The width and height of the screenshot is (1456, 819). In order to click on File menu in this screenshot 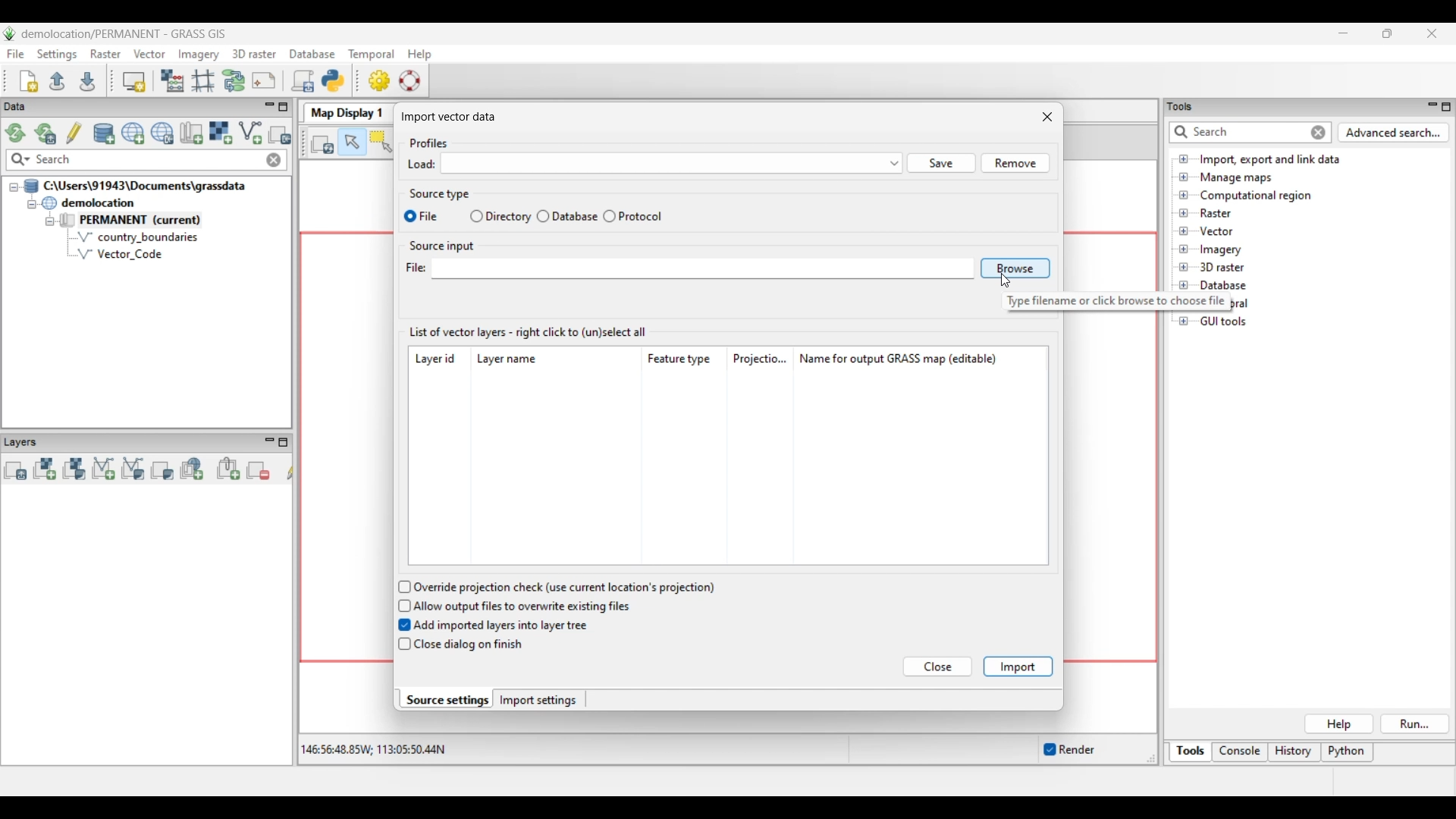, I will do `click(16, 54)`.